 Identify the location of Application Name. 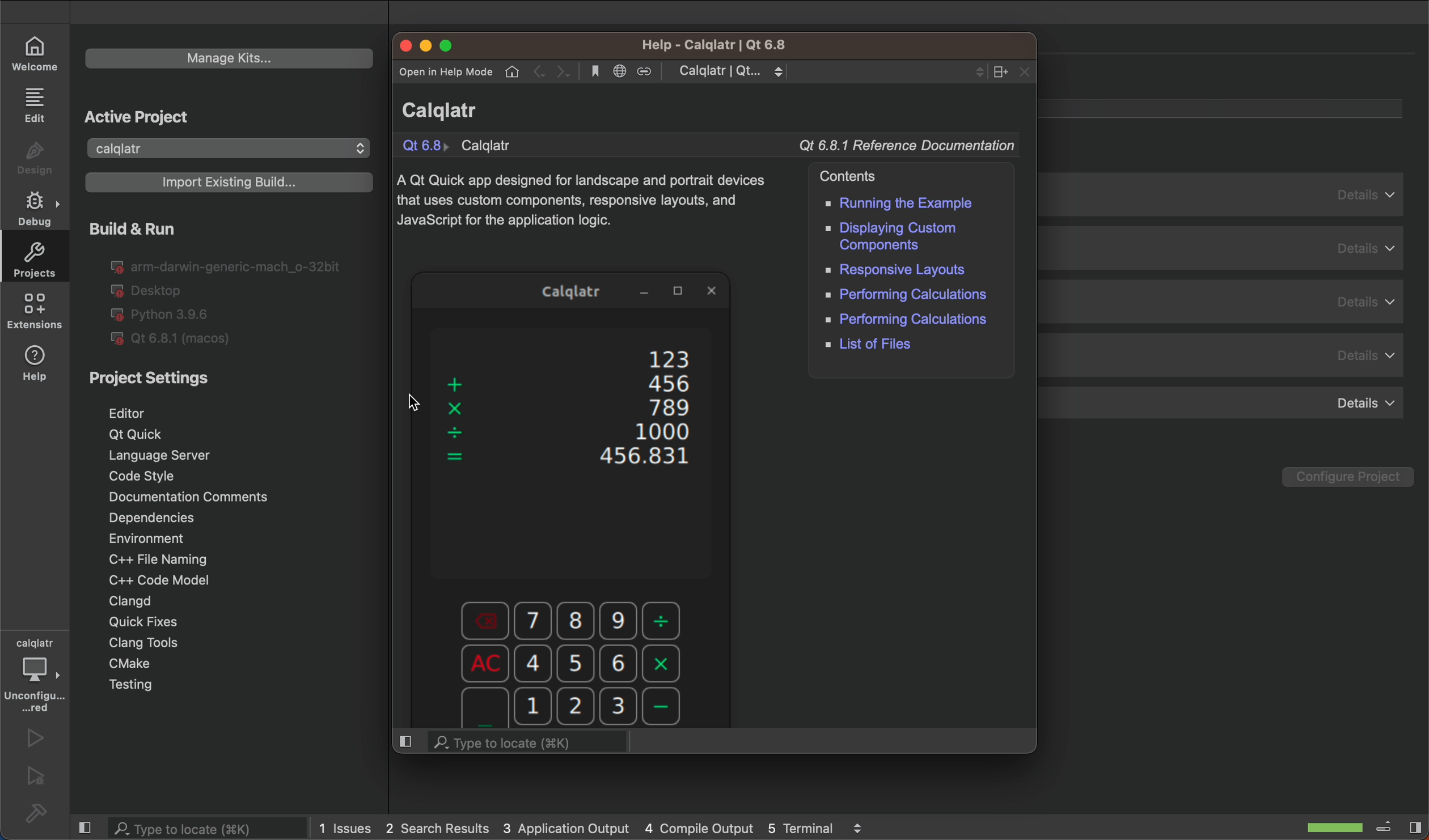
(518, 291).